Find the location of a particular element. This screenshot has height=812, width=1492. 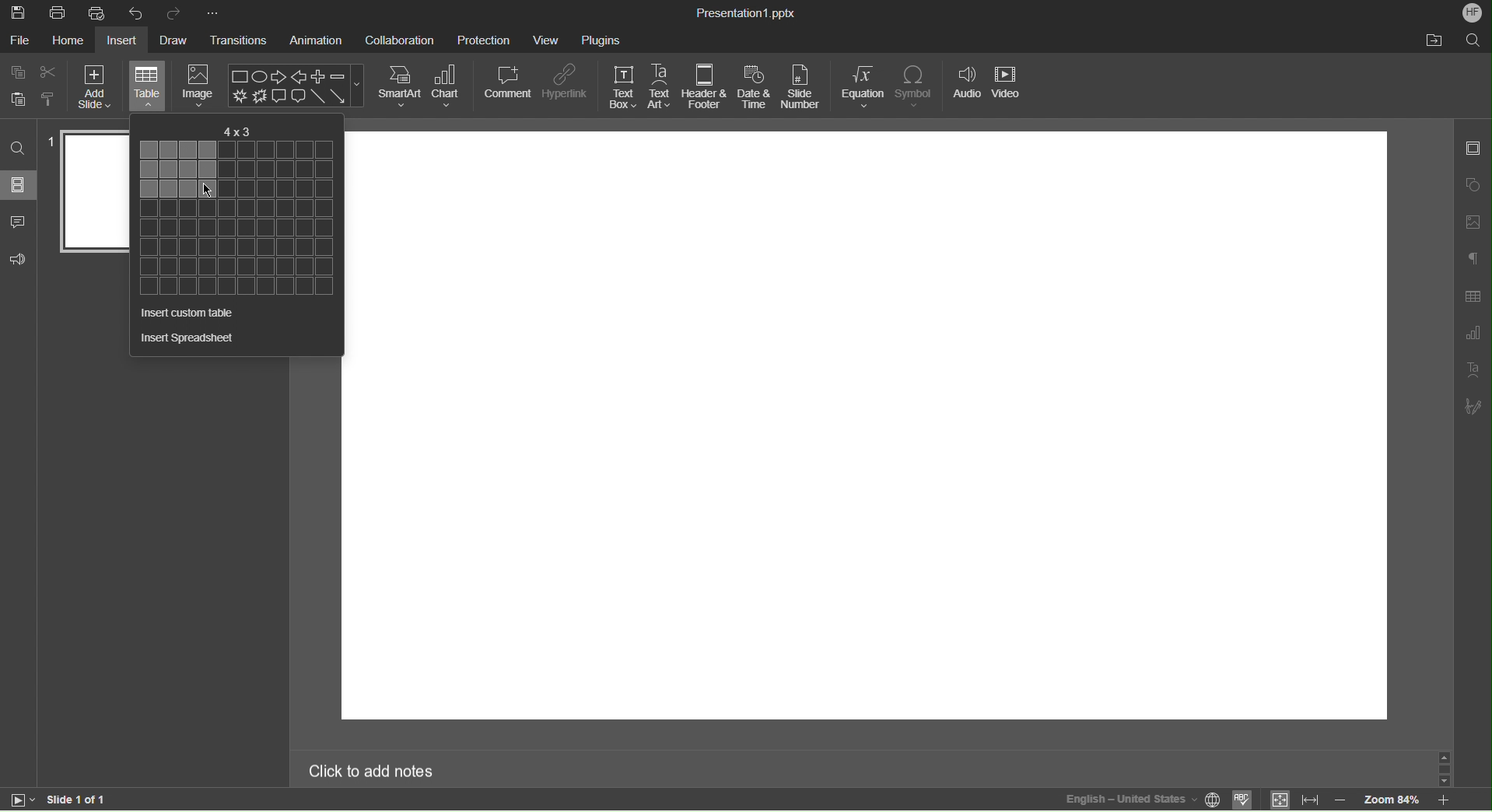

Date & Time is located at coordinates (755, 87).